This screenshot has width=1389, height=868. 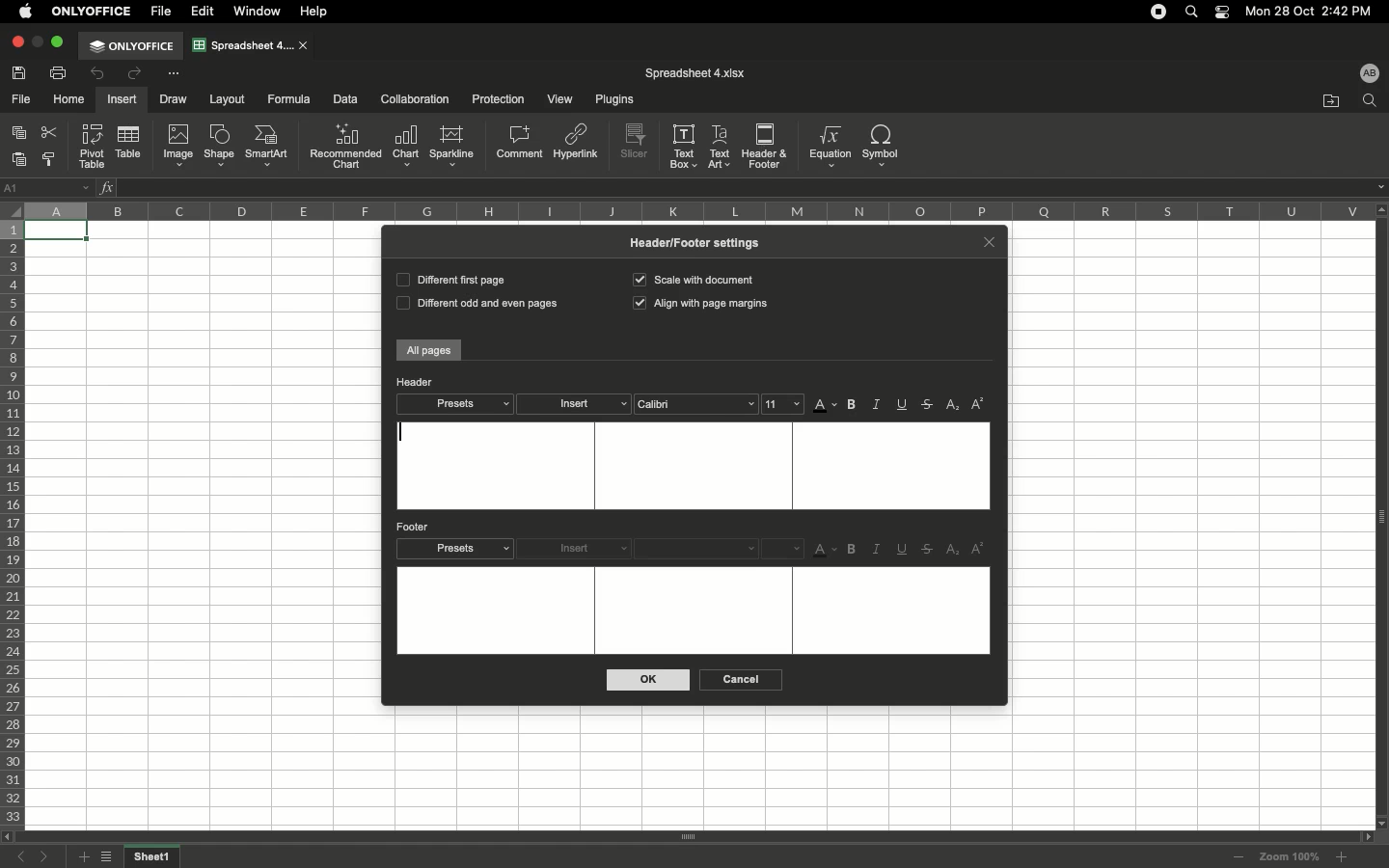 What do you see at coordinates (1290, 856) in the screenshot?
I see `Zoom` at bounding box center [1290, 856].